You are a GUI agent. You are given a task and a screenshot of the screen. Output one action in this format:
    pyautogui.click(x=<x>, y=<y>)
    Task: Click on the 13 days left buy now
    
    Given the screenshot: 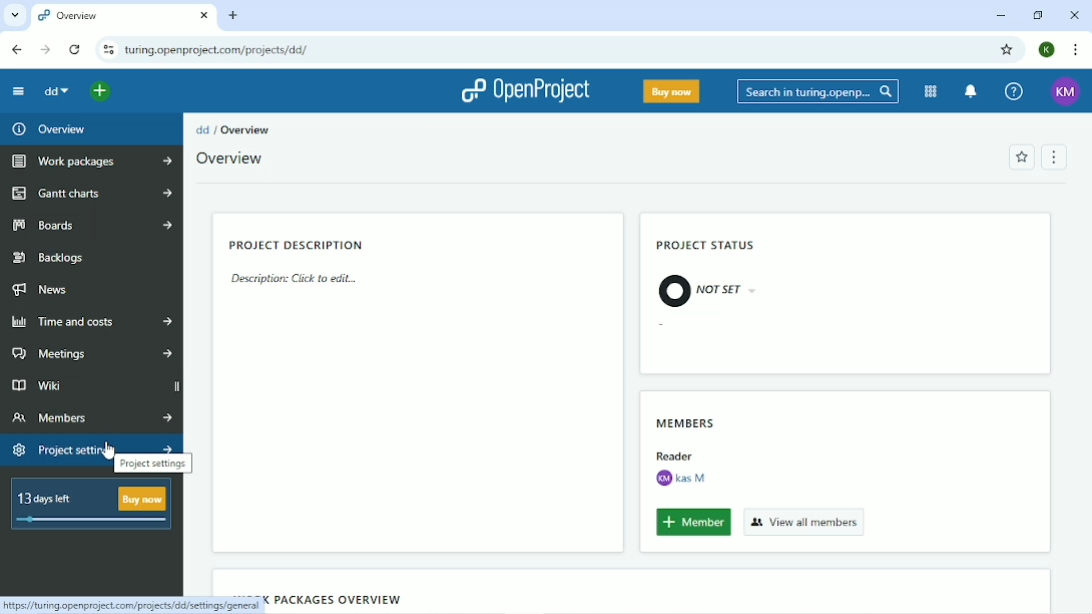 What is the action you would take?
    pyautogui.click(x=92, y=504)
    